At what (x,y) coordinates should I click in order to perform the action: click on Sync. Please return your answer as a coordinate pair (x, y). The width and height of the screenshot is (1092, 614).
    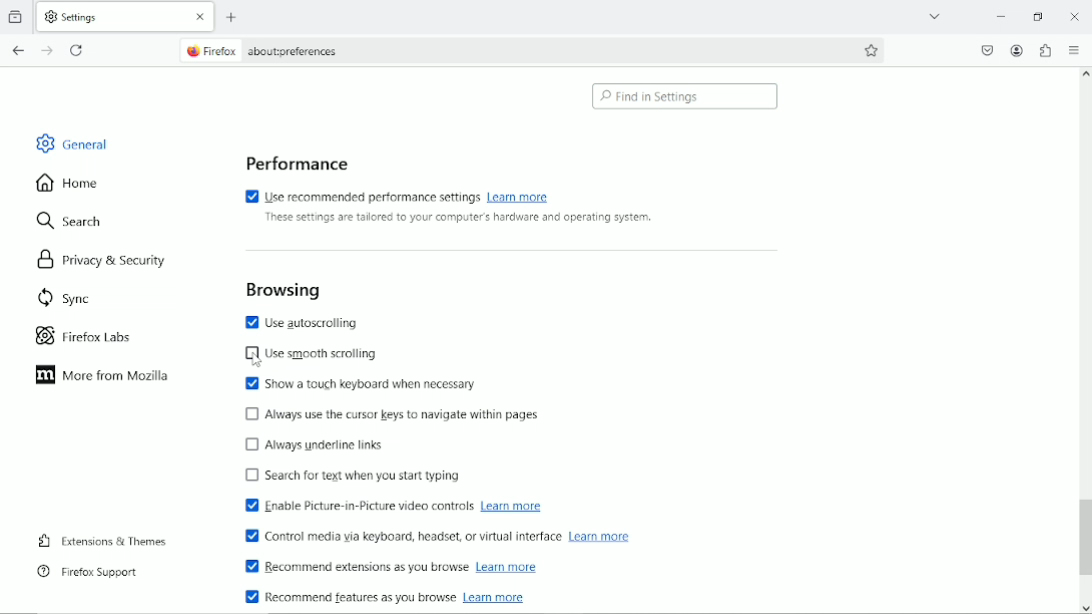
    Looking at the image, I should click on (59, 297).